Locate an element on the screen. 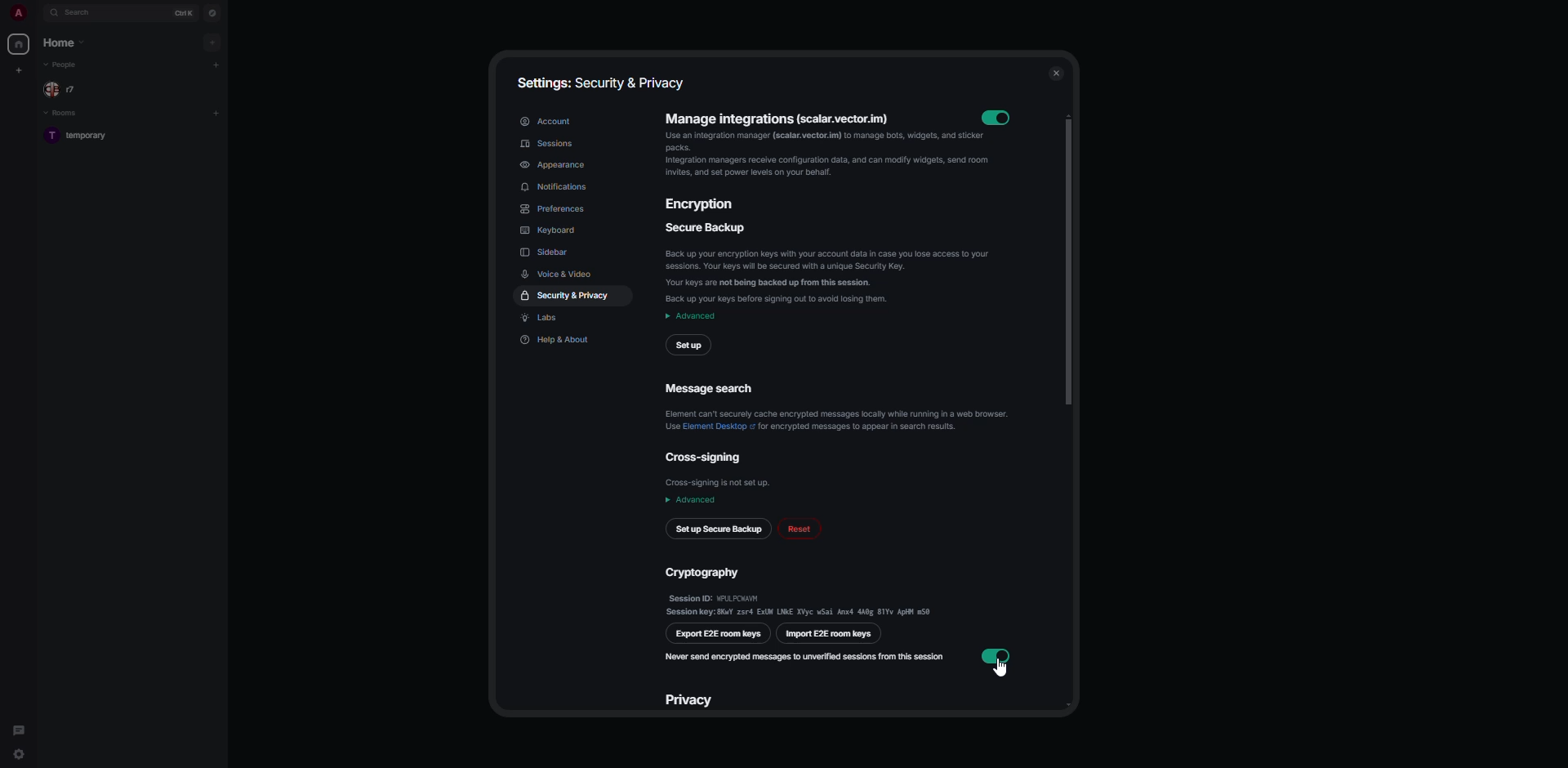  people is located at coordinates (62, 90).